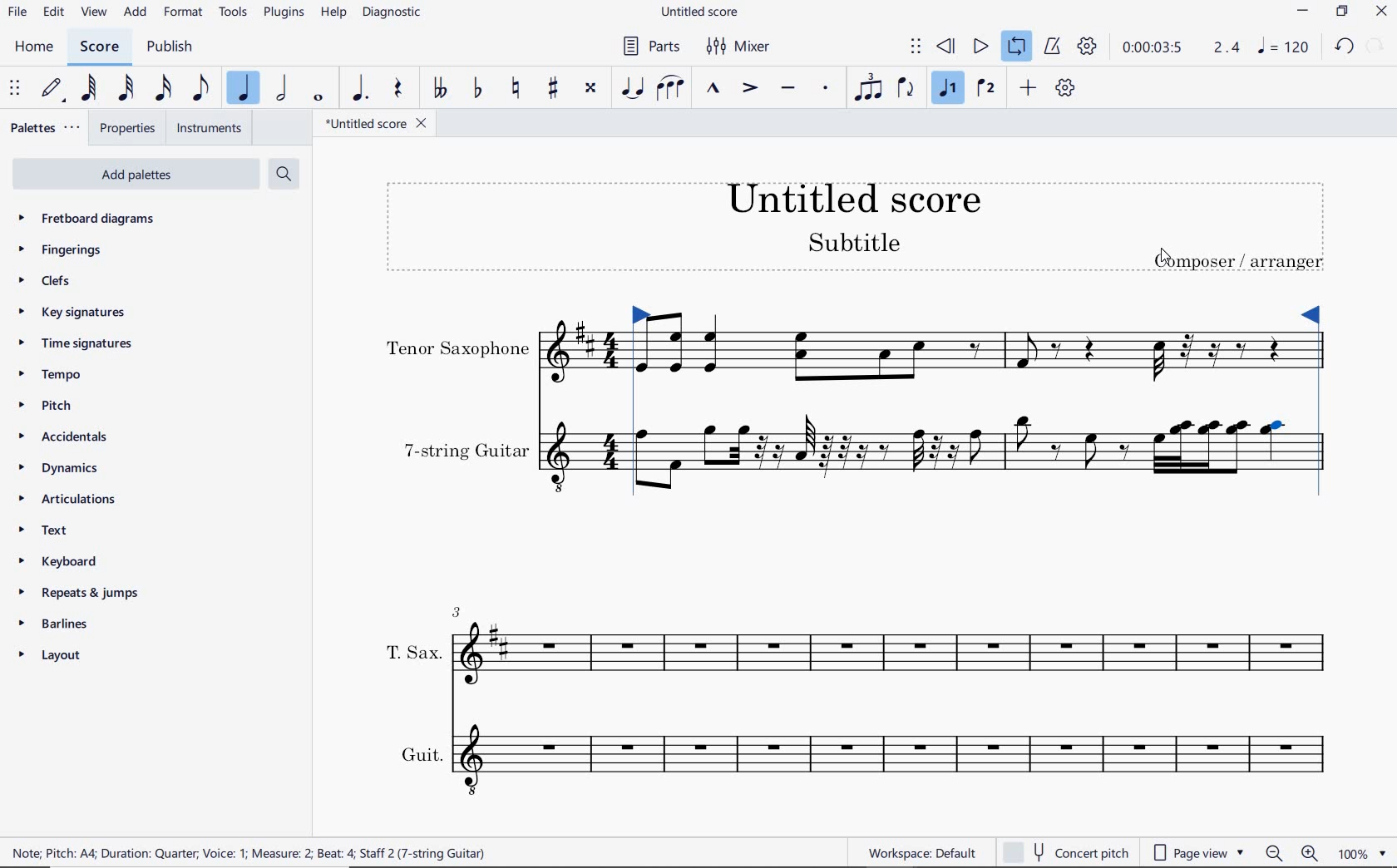 This screenshot has width=1397, height=868. I want to click on SELECT TO MOVE, so click(916, 45).